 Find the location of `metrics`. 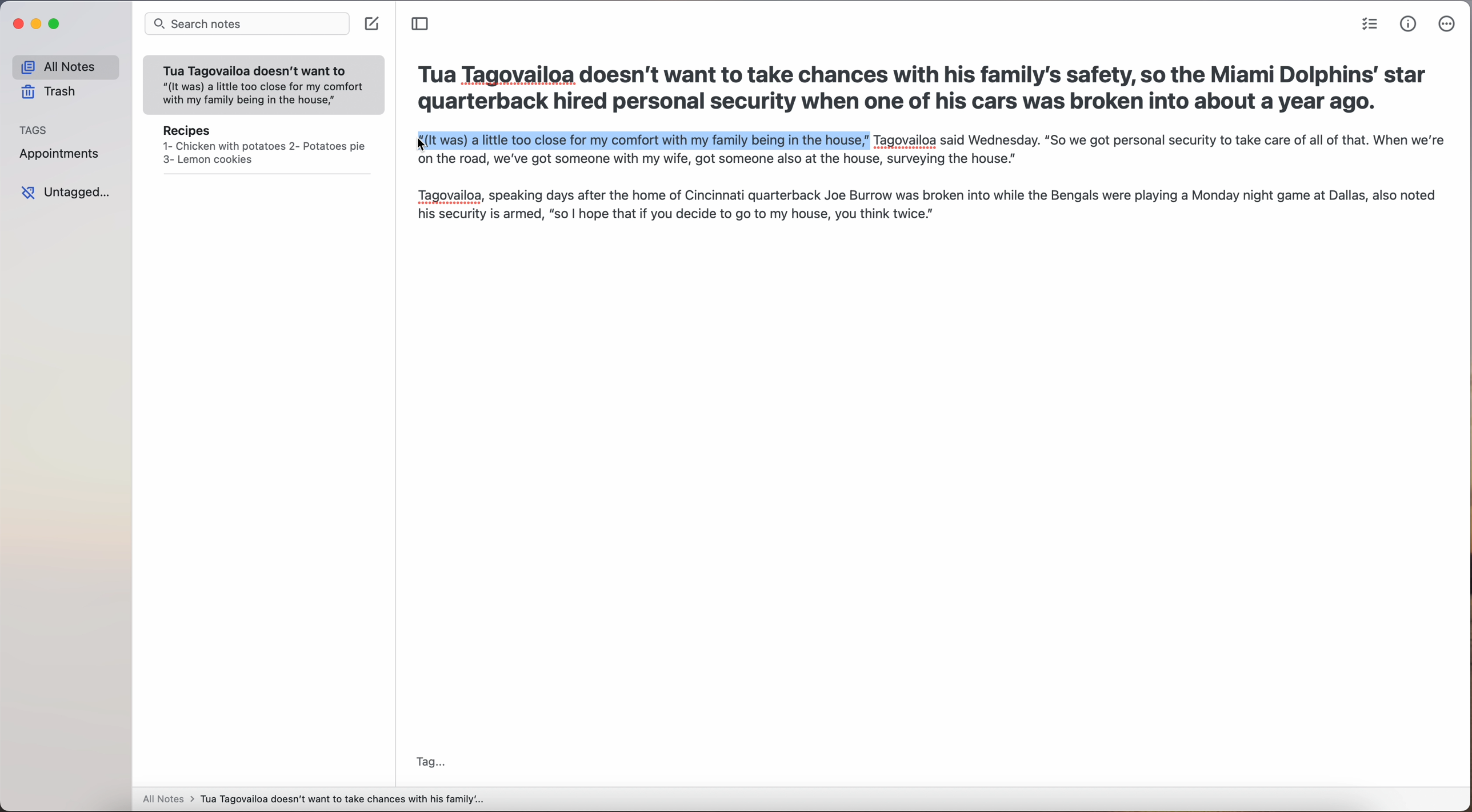

metrics is located at coordinates (1409, 25).